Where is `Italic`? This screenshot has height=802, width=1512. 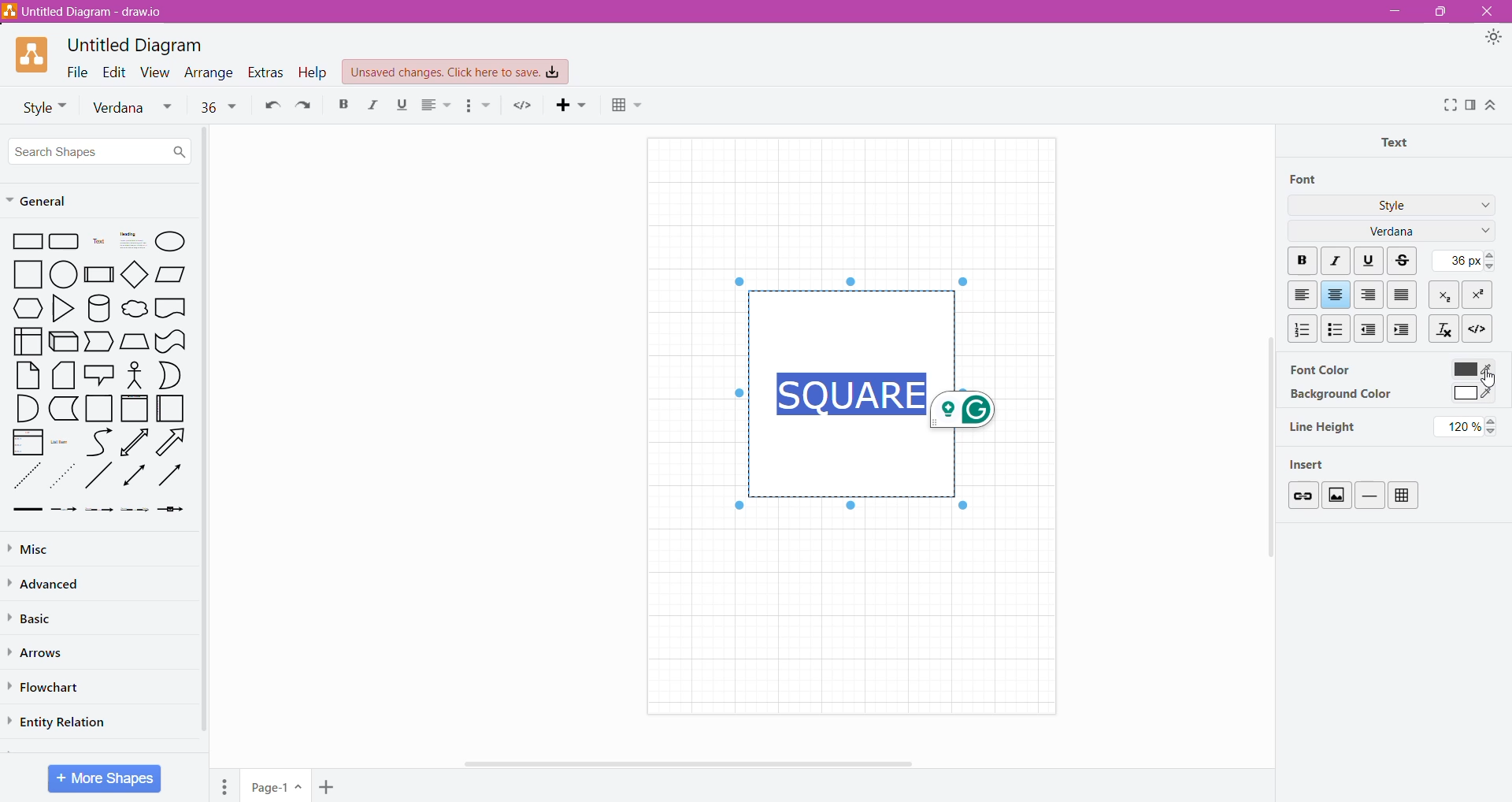
Italic is located at coordinates (1337, 262).